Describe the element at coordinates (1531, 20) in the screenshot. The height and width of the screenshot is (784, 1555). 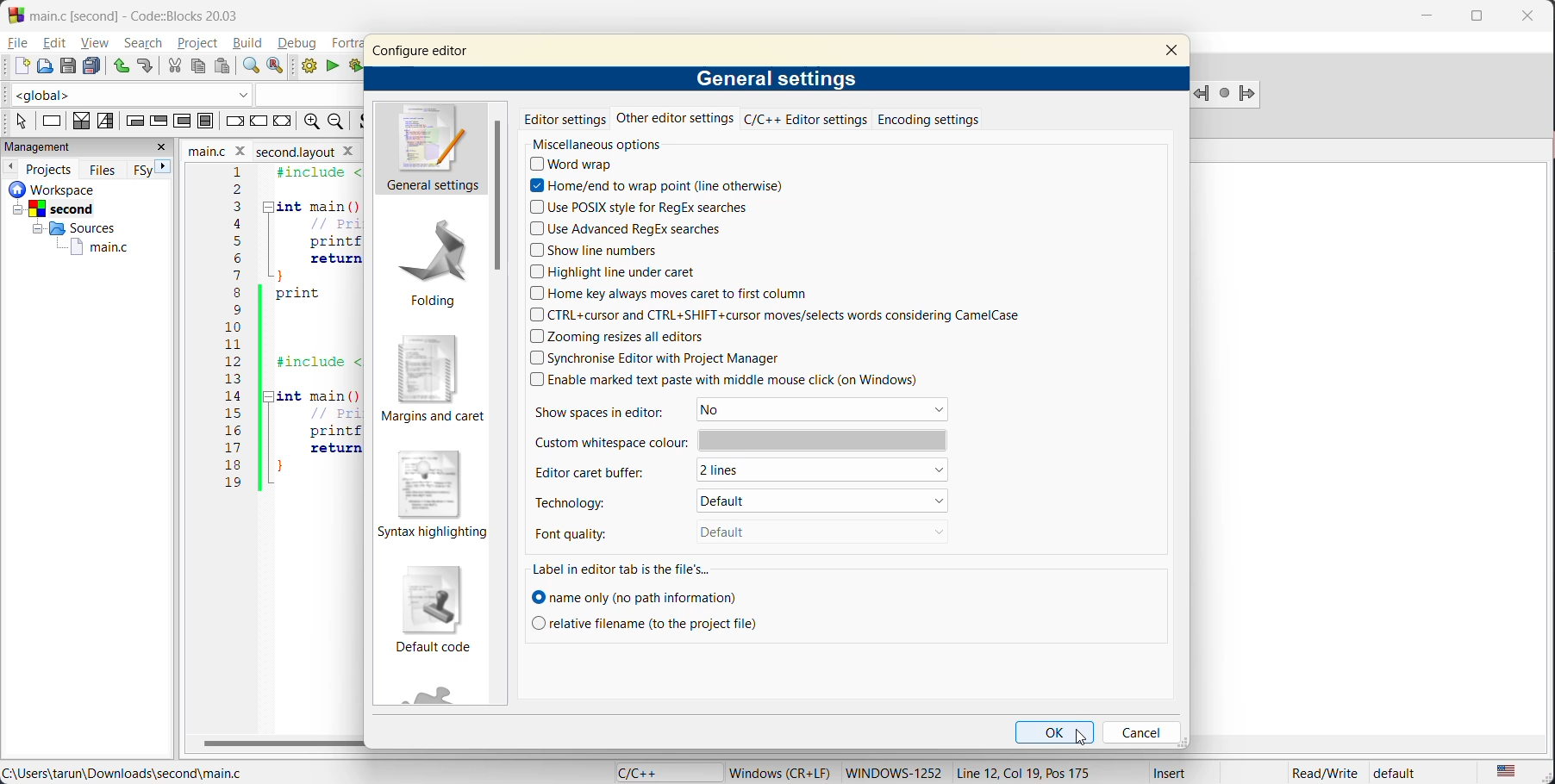
I see `close` at that location.